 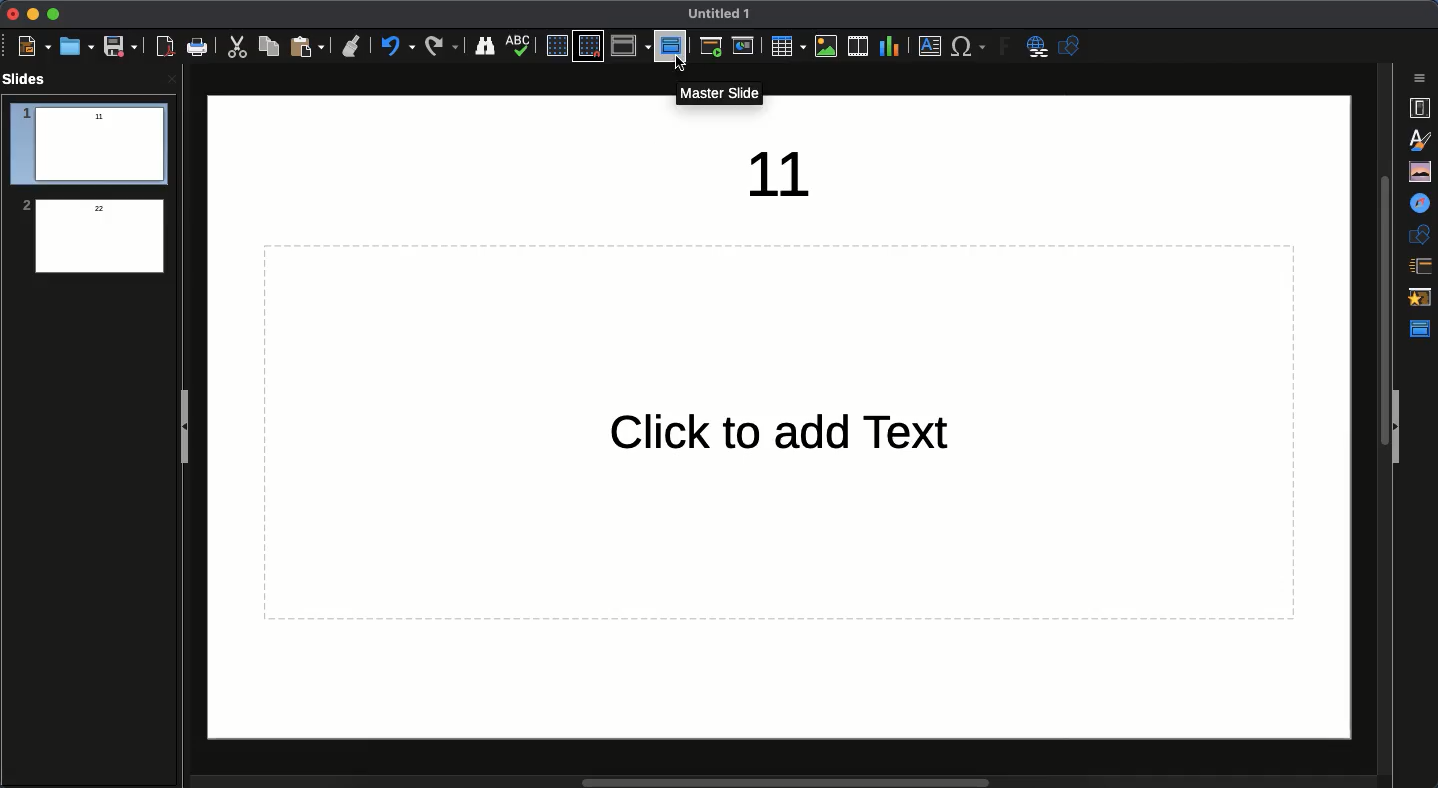 What do you see at coordinates (89, 237) in the screenshot?
I see `slide 2` at bounding box center [89, 237].